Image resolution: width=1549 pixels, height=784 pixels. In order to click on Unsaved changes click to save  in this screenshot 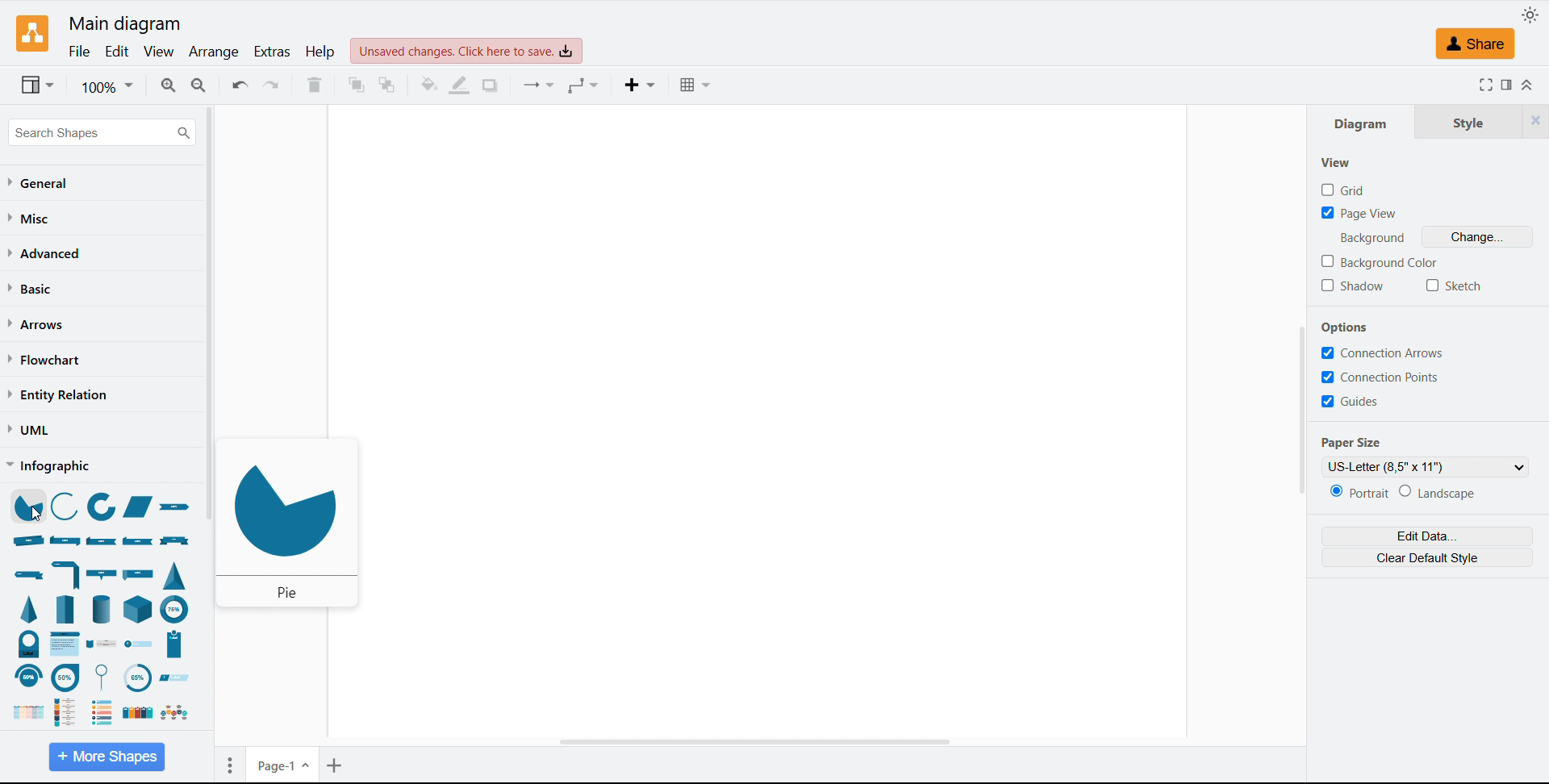, I will do `click(466, 50)`.